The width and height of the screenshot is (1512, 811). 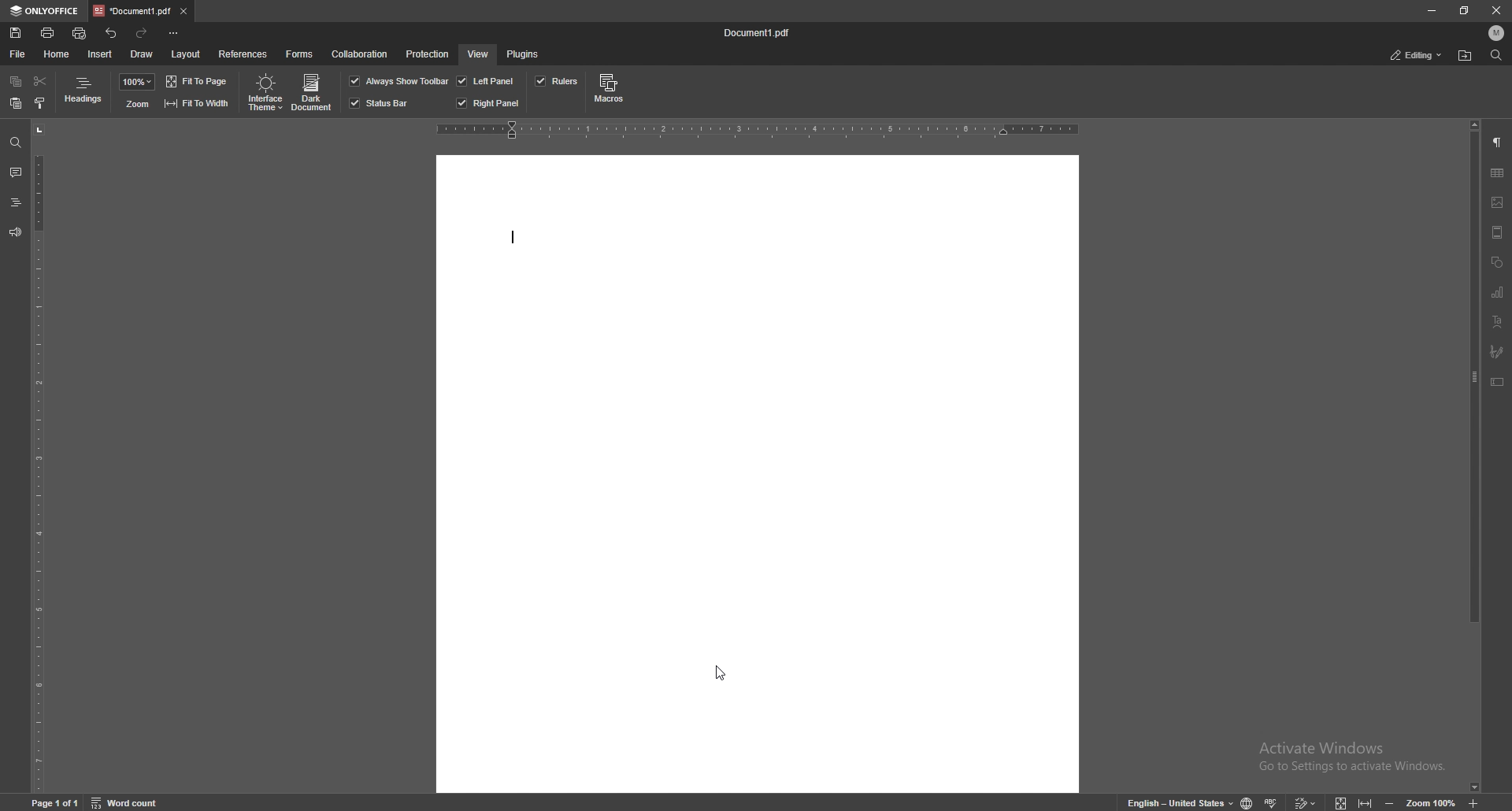 What do you see at coordinates (1497, 292) in the screenshot?
I see `chart` at bounding box center [1497, 292].